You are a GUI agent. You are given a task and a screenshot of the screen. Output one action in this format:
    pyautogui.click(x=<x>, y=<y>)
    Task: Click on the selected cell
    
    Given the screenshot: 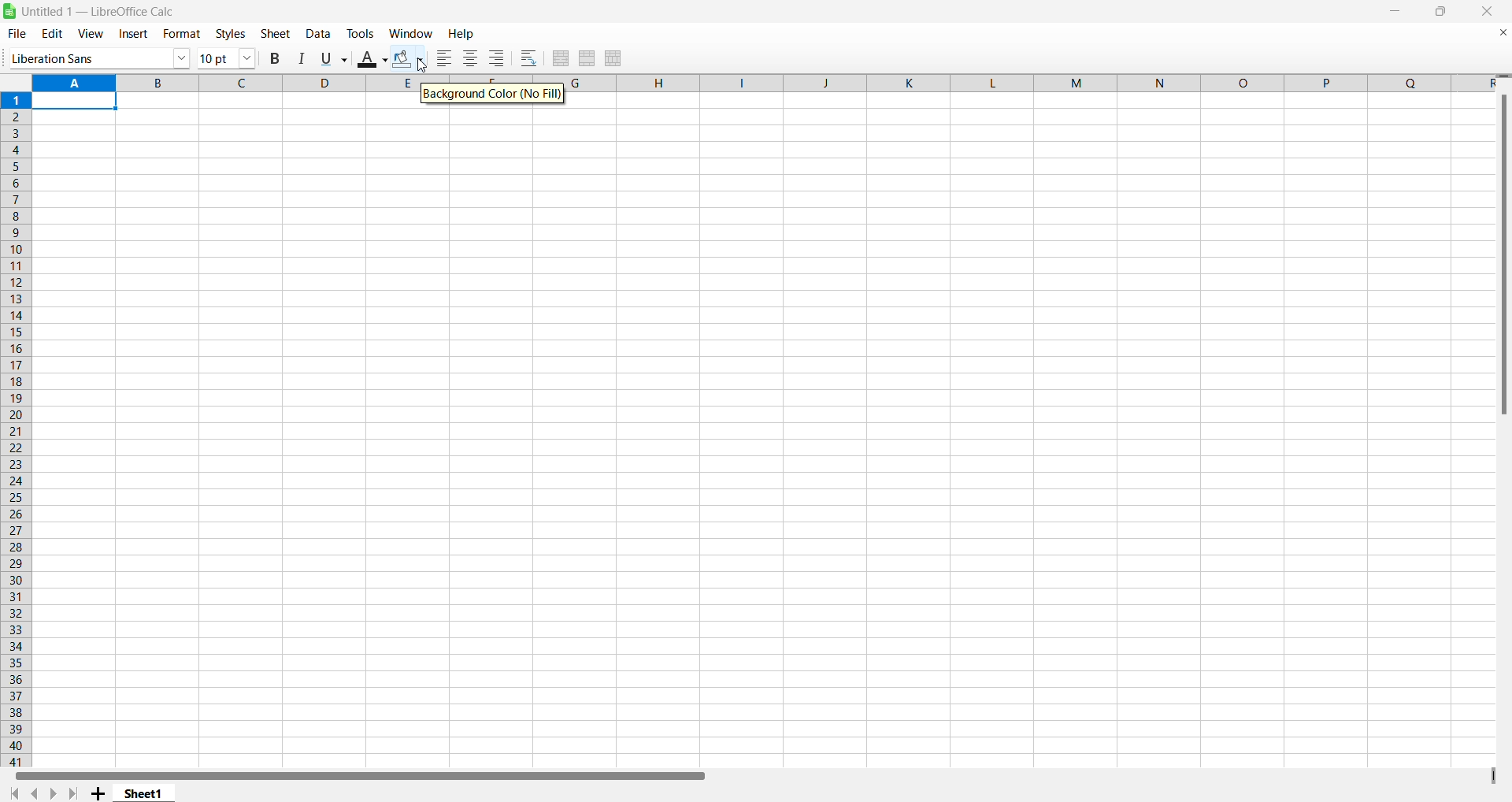 What is the action you would take?
    pyautogui.click(x=80, y=102)
    